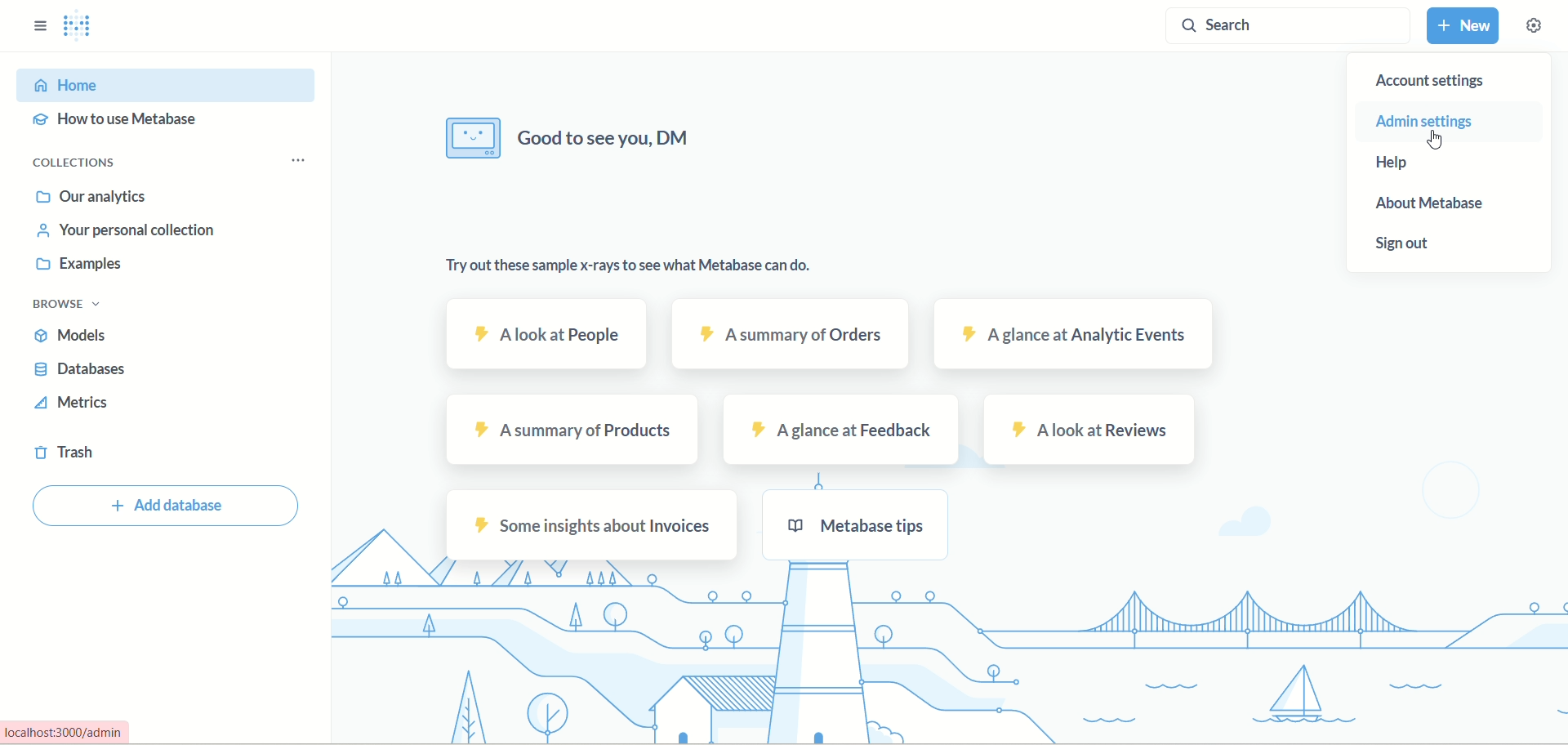 The width and height of the screenshot is (1568, 745). Describe the element at coordinates (633, 267) in the screenshot. I see `text` at that location.